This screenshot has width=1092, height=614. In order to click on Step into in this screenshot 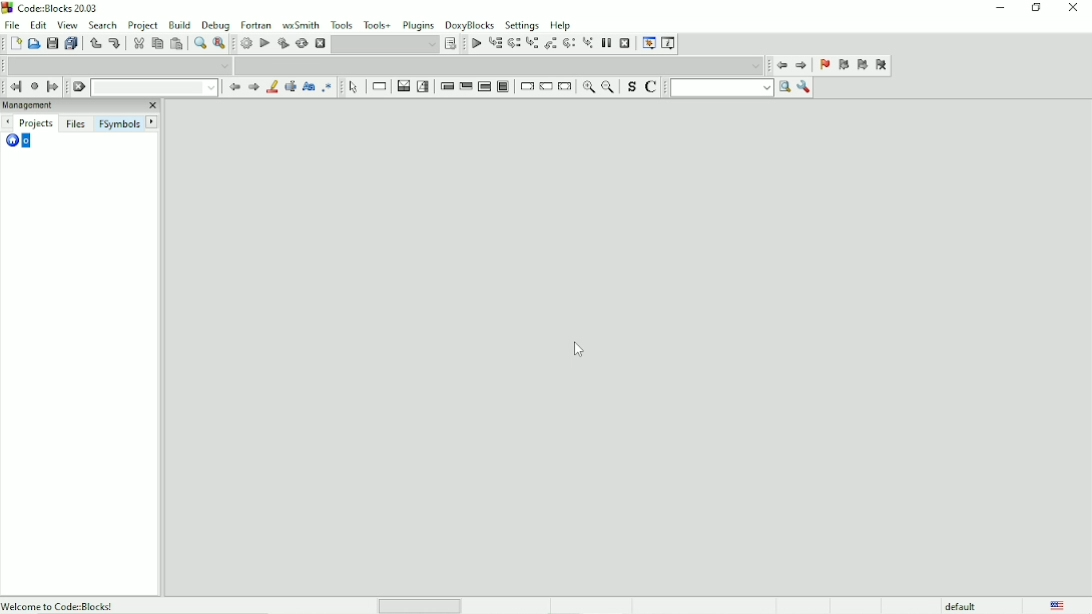, I will do `click(532, 45)`.